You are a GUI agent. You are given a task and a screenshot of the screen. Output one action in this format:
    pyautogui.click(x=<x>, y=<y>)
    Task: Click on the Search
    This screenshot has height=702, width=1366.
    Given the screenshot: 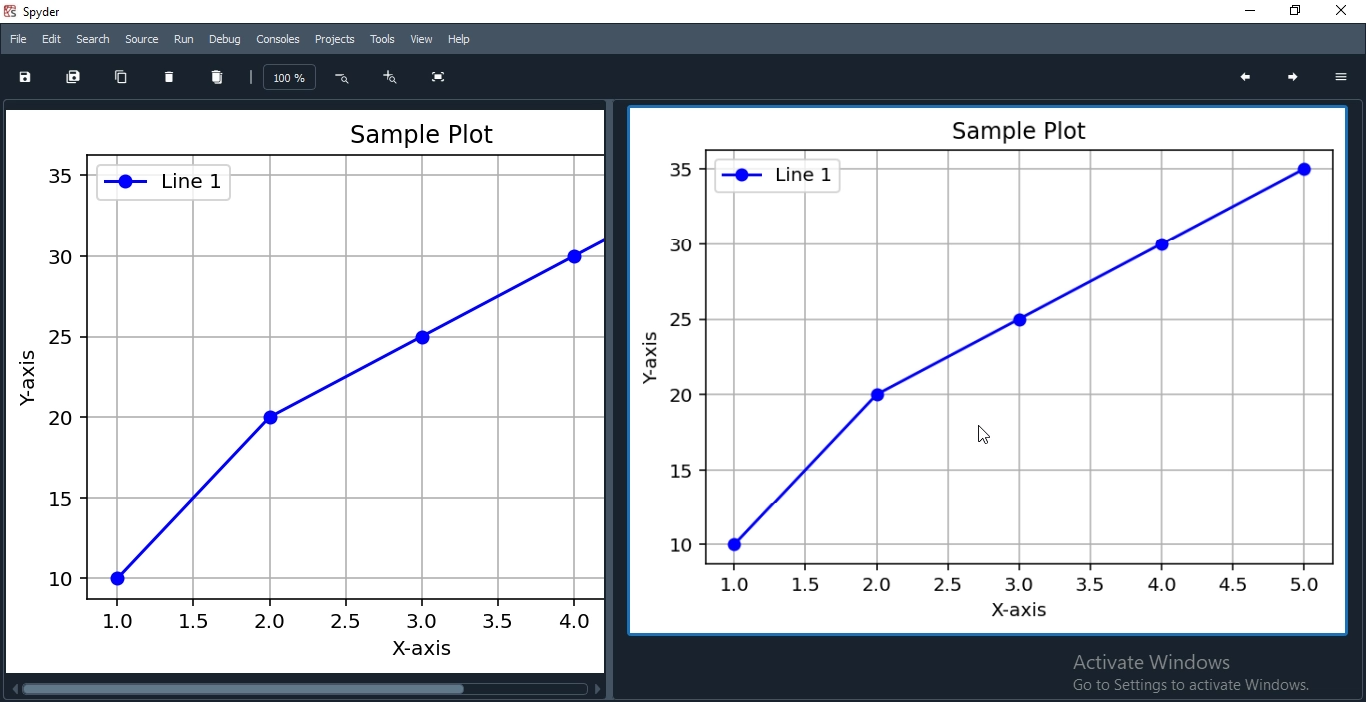 What is the action you would take?
    pyautogui.click(x=92, y=39)
    